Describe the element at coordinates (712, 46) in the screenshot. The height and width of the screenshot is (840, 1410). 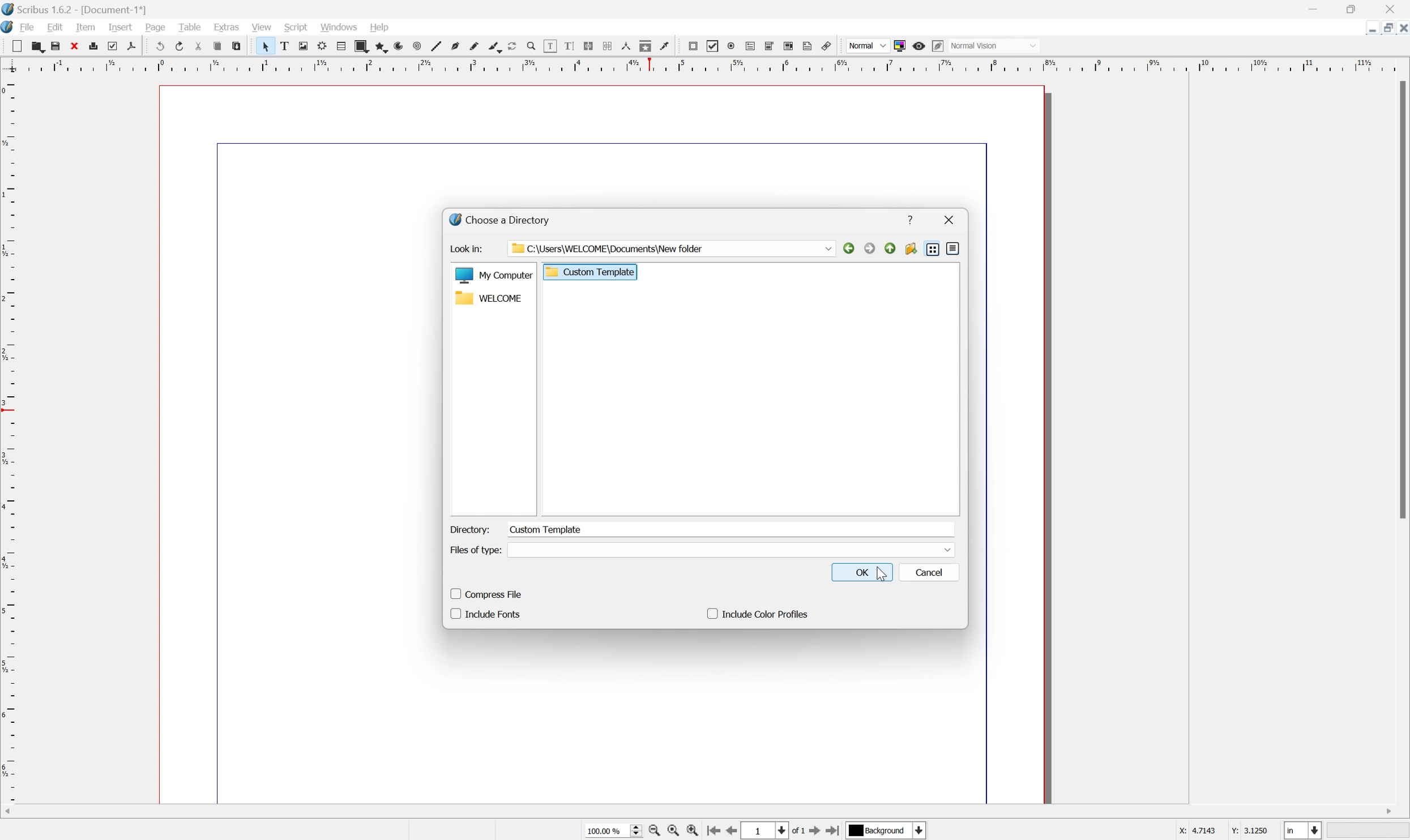
I see `PDF checkbox` at that location.